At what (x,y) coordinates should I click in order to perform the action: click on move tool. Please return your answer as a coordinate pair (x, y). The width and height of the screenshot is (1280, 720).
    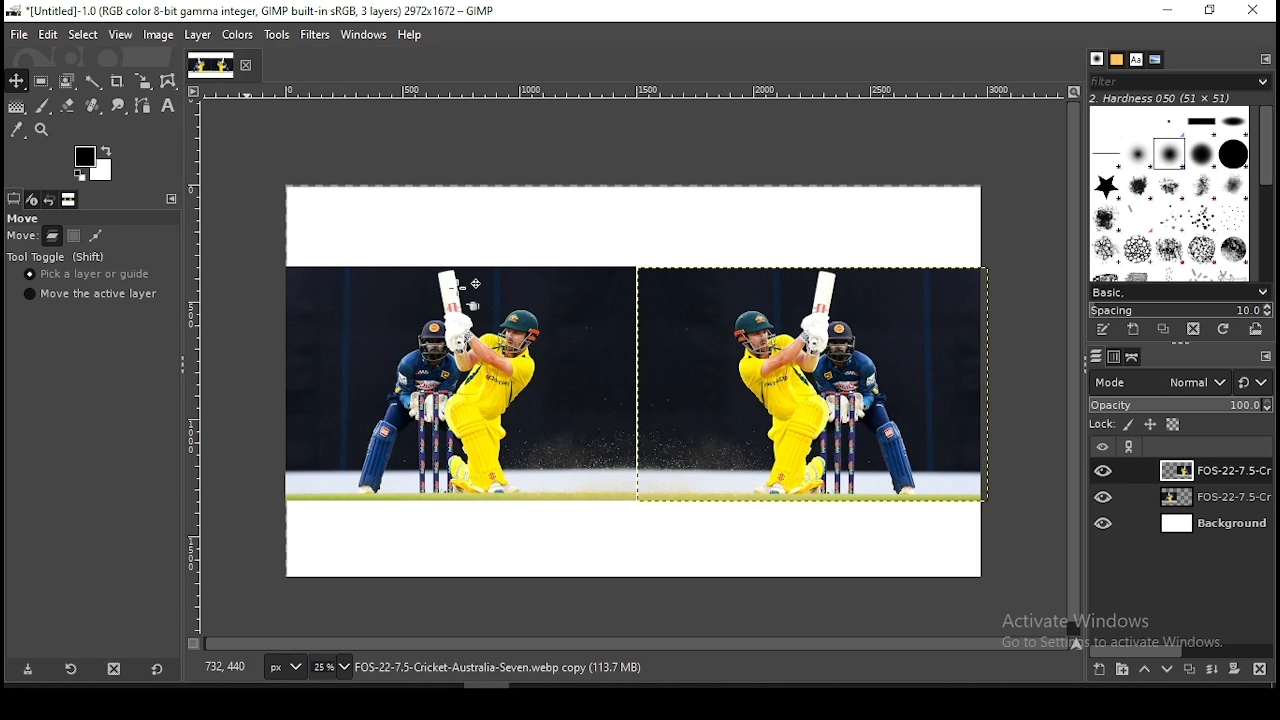
    Looking at the image, I should click on (16, 81).